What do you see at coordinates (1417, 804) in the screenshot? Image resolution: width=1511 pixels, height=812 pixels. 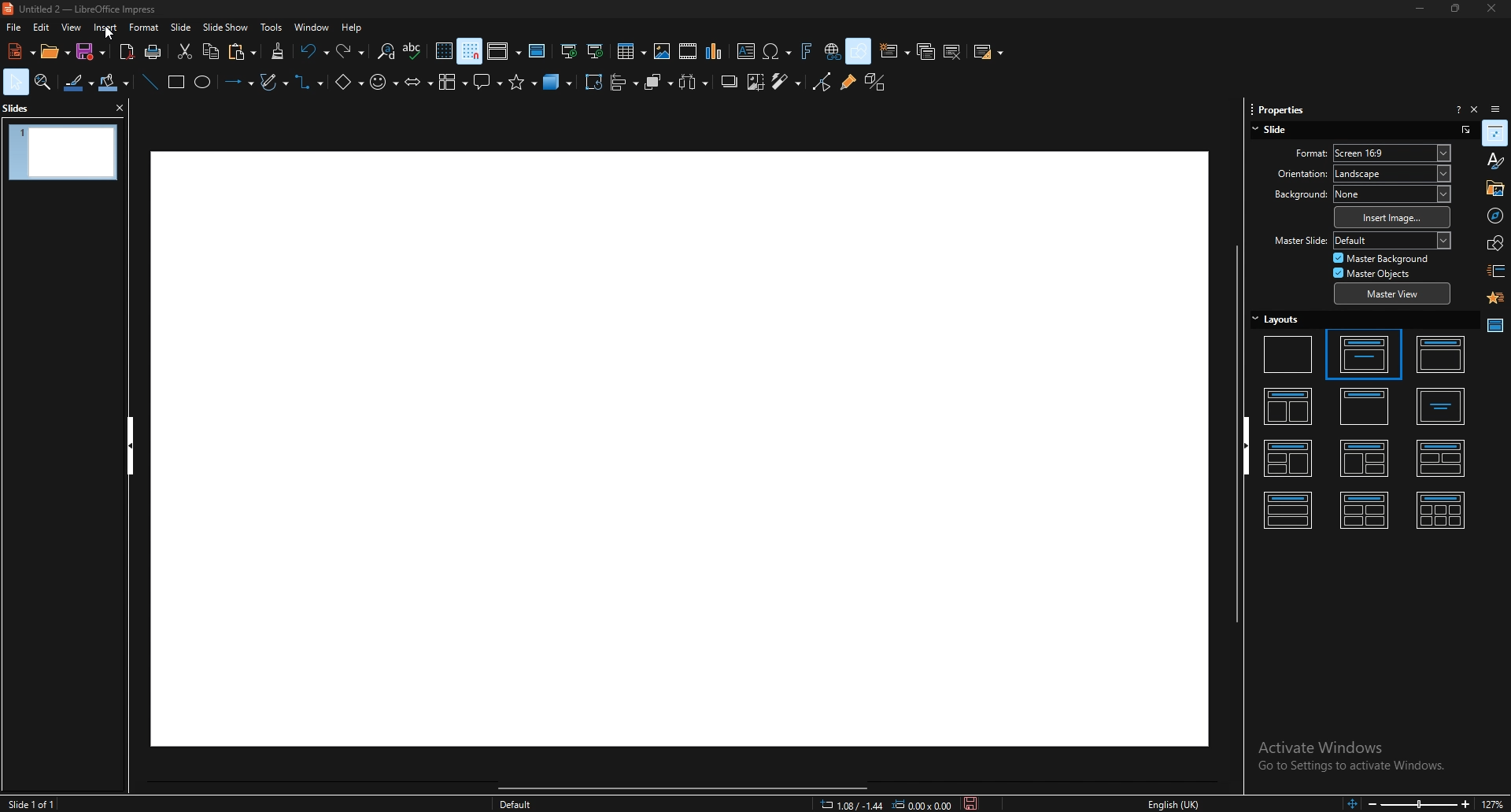 I see `zoom slidebar` at bounding box center [1417, 804].